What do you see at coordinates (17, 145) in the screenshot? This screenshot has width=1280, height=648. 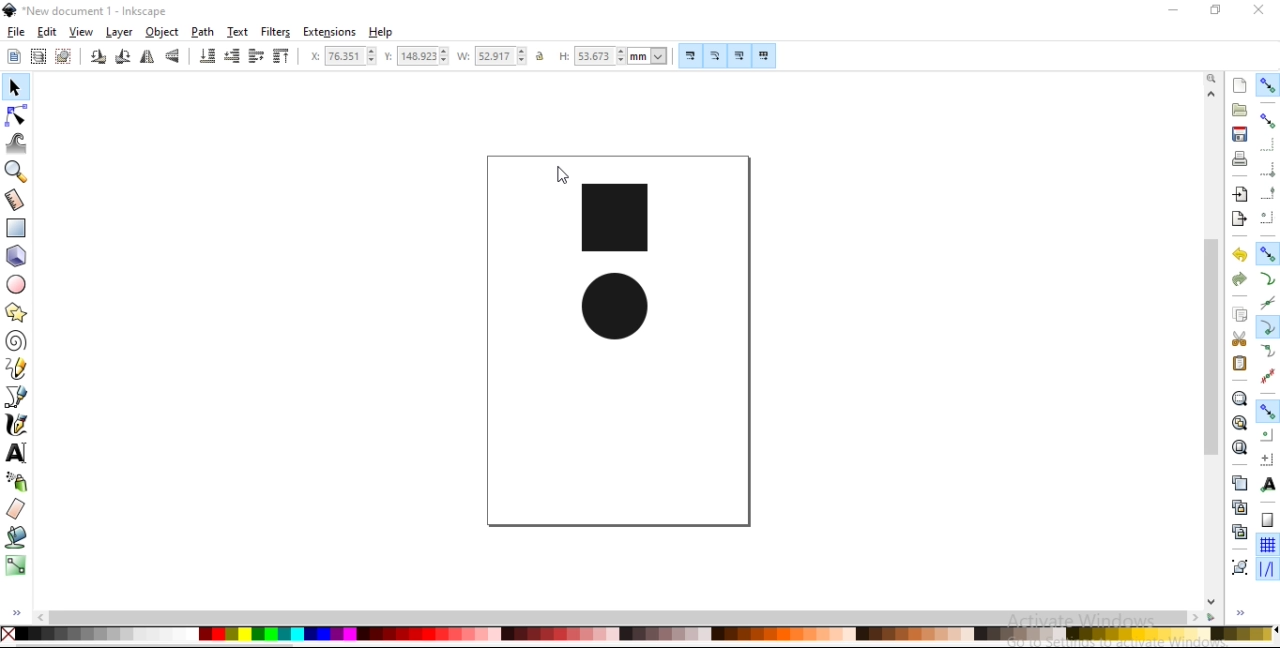 I see `tweak objects by sculpting or painting` at bounding box center [17, 145].